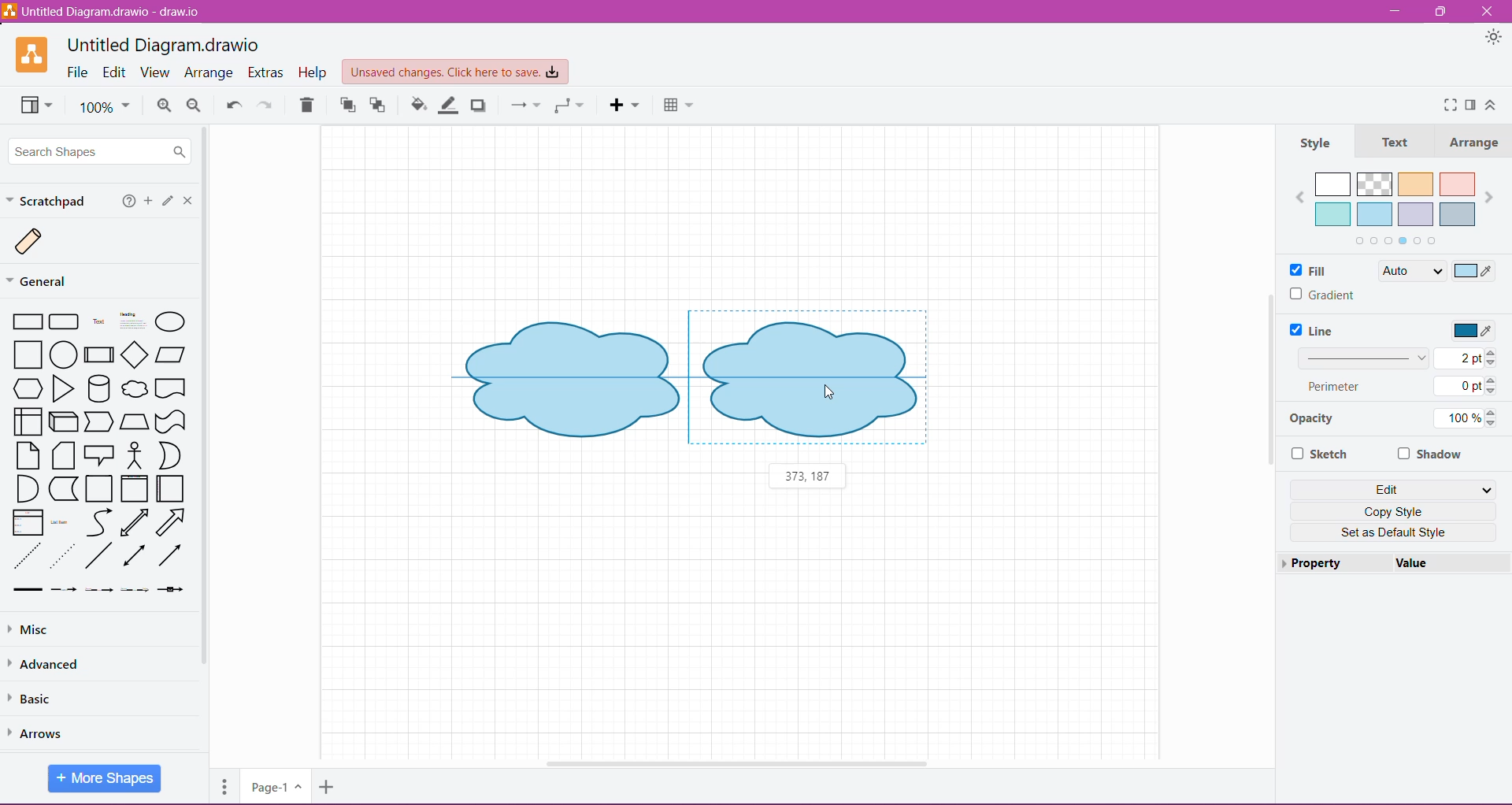 This screenshot has height=805, width=1512. Describe the element at coordinates (1325, 295) in the screenshot. I see `Gradient` at that location.